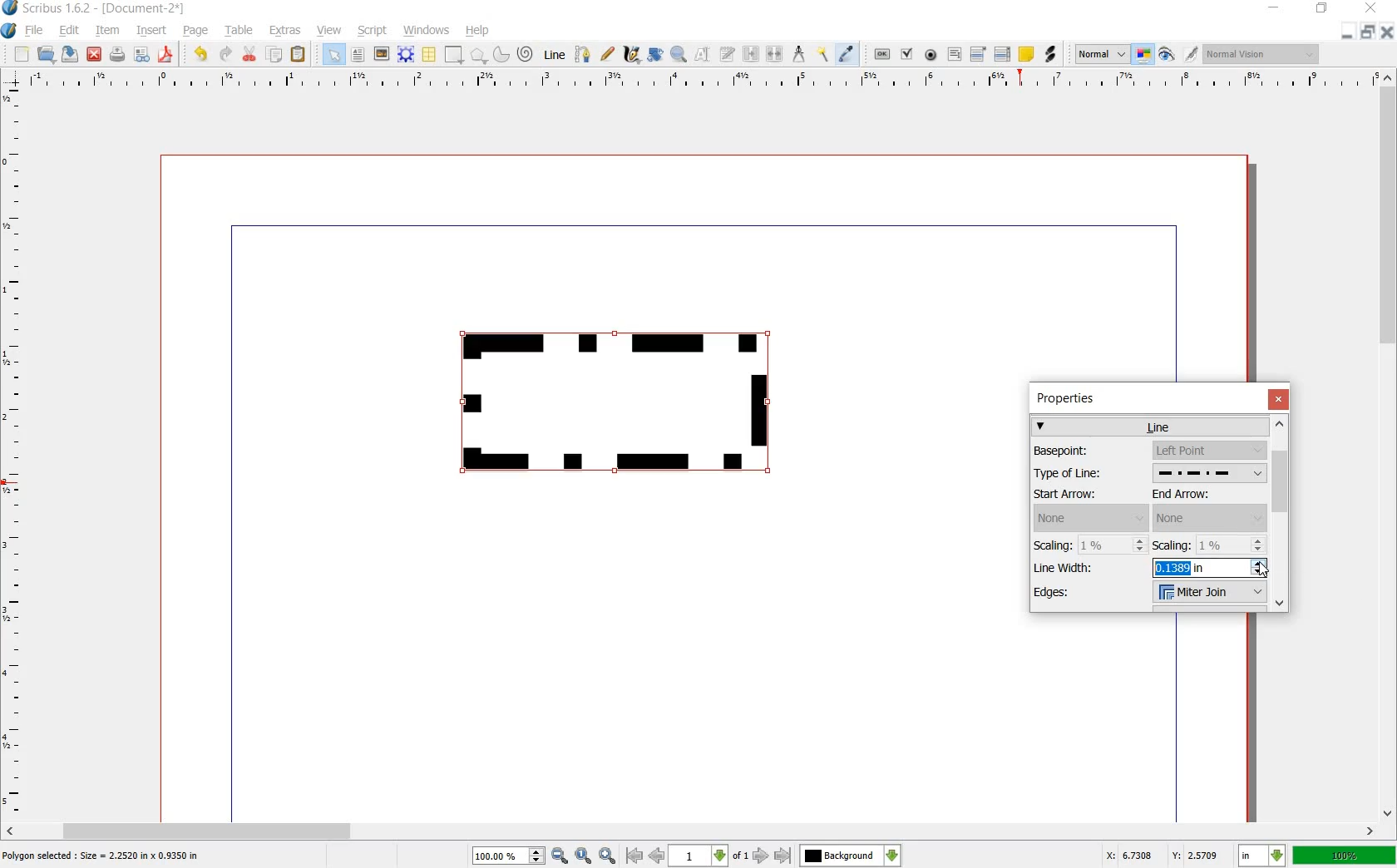 This screenshot has height=868, width=1397. I want to click on SELECT THE IMAGE PREVIEW QUALITY, so click(1098, 54).